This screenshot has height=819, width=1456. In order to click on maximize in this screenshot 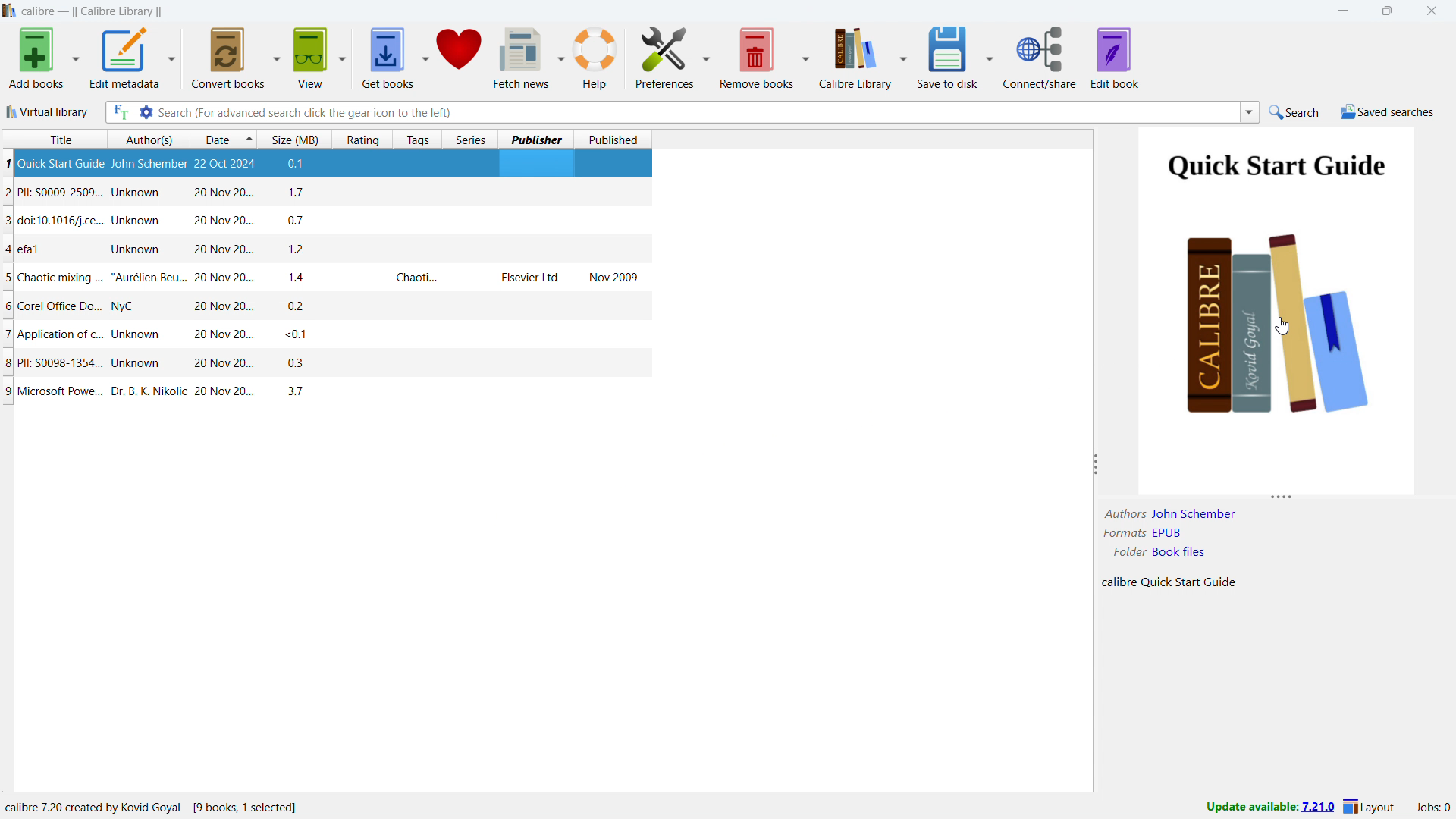, I will do `click(1390, 11)`.